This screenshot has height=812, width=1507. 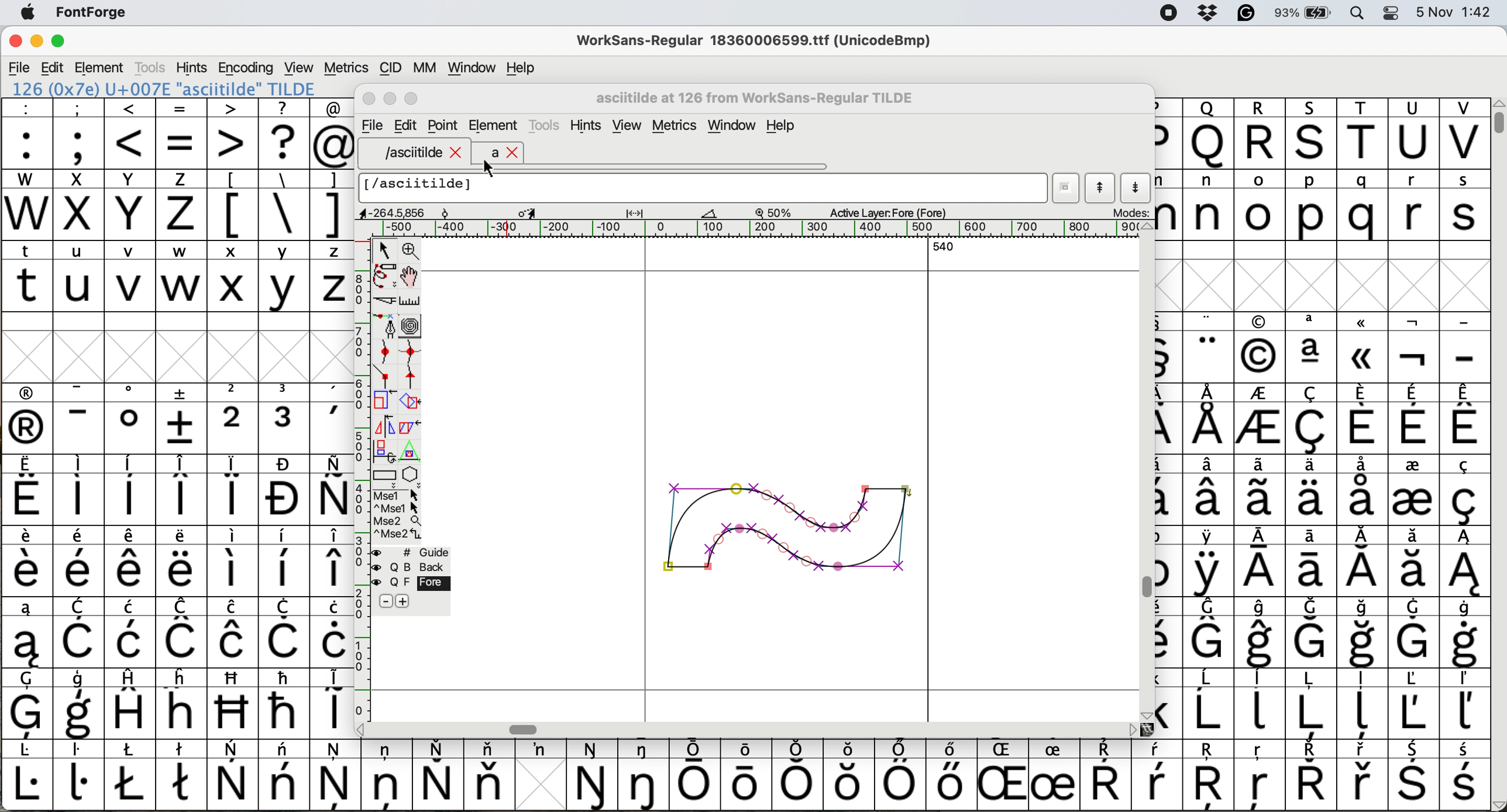 I want to click on file, so click(x=20, y=68).